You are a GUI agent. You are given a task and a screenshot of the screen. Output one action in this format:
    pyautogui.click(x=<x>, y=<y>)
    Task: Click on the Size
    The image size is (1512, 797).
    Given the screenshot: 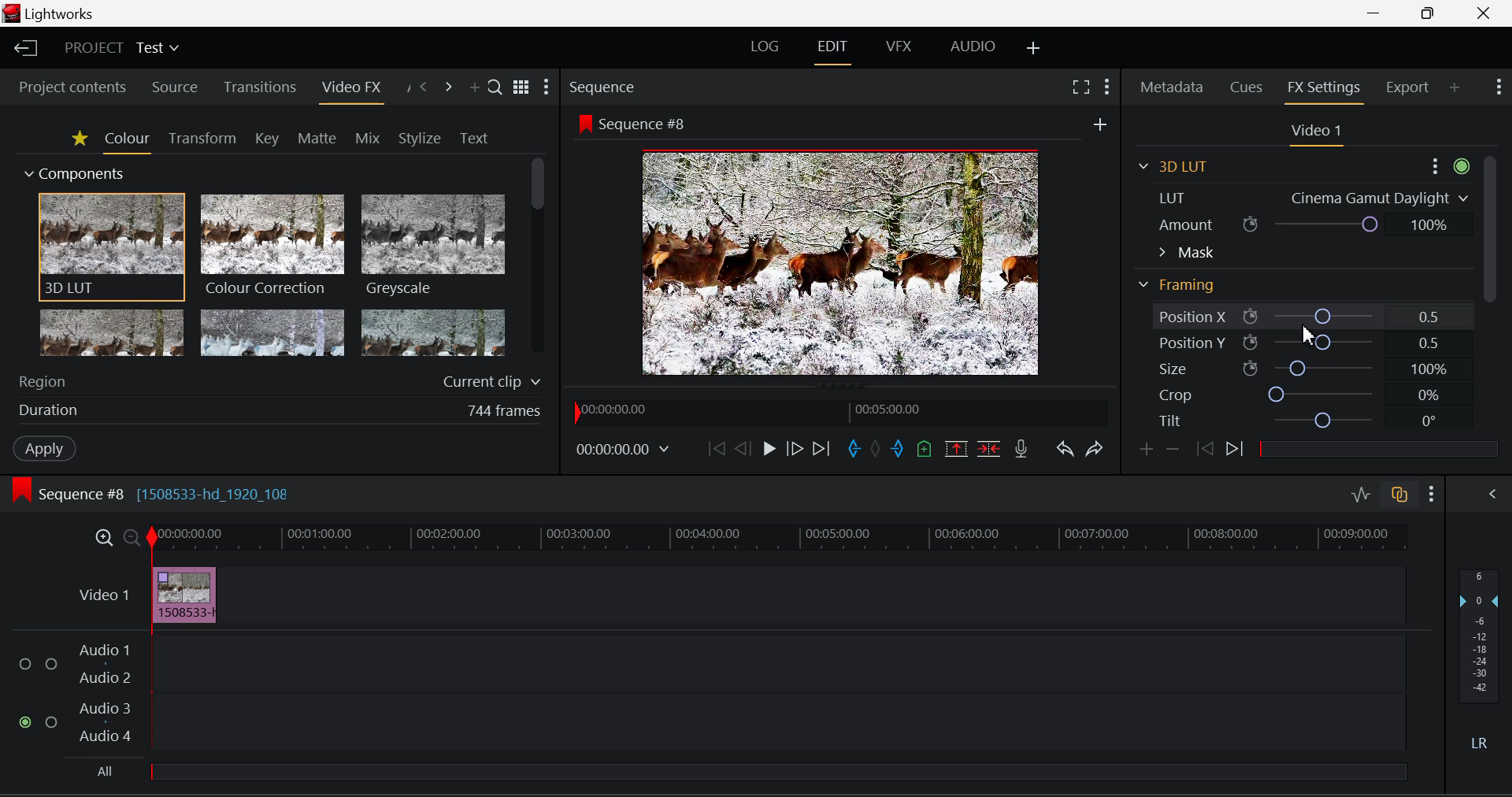 What is the action you would take?
    pyautogui.click(x=1303, y=372)
    